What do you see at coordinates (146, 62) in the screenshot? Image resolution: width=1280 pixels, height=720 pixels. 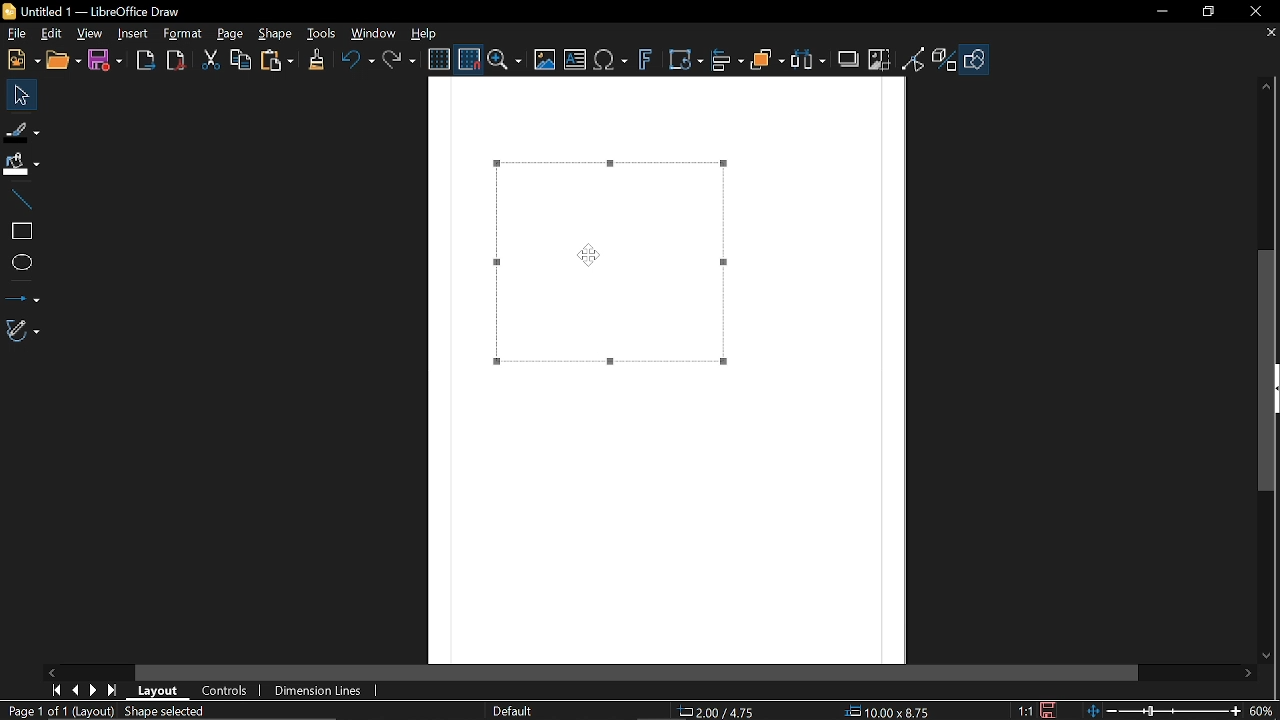 I see `Export` at bounding box center [146, 62].